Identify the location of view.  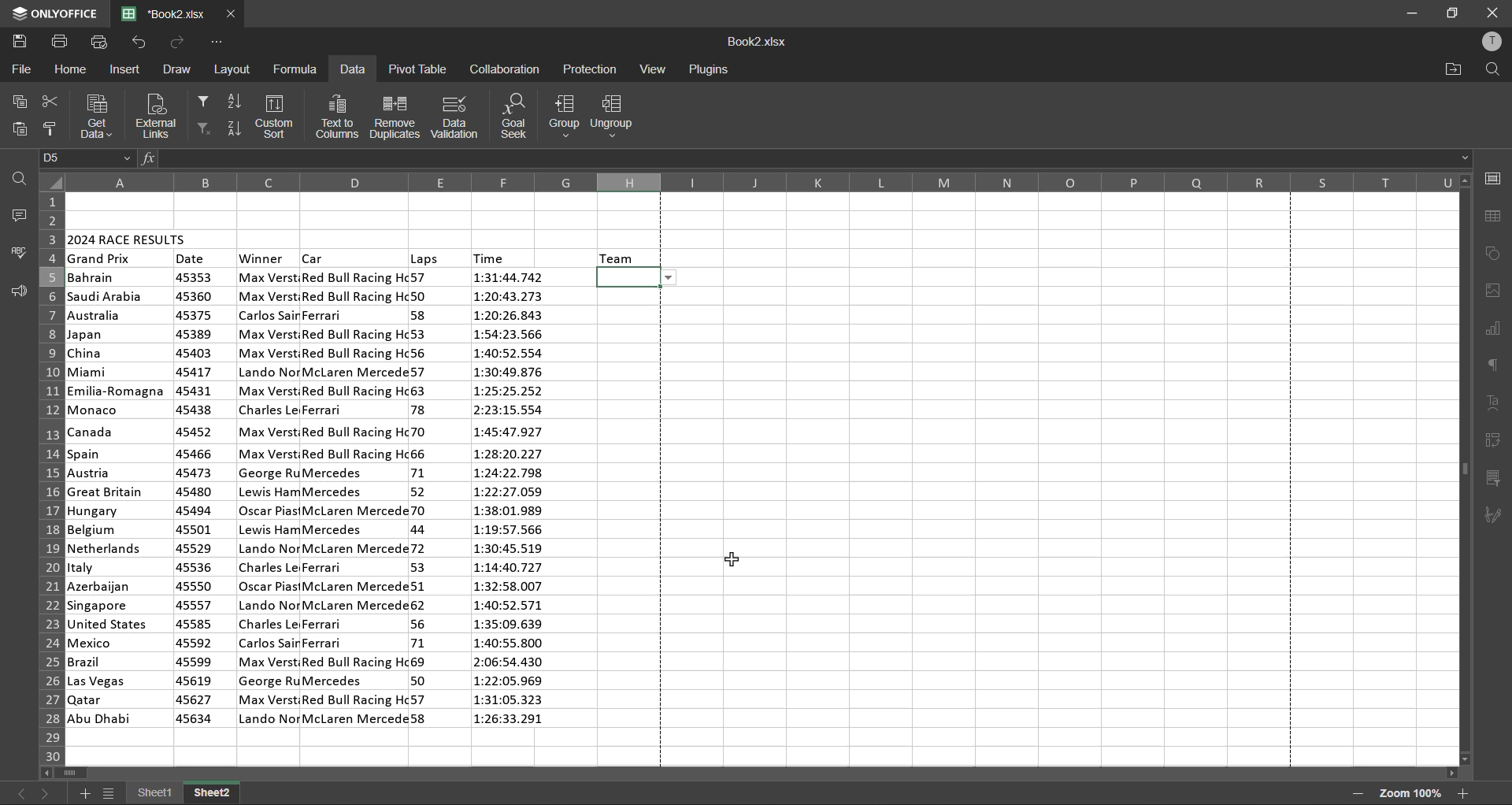
(652, 69).